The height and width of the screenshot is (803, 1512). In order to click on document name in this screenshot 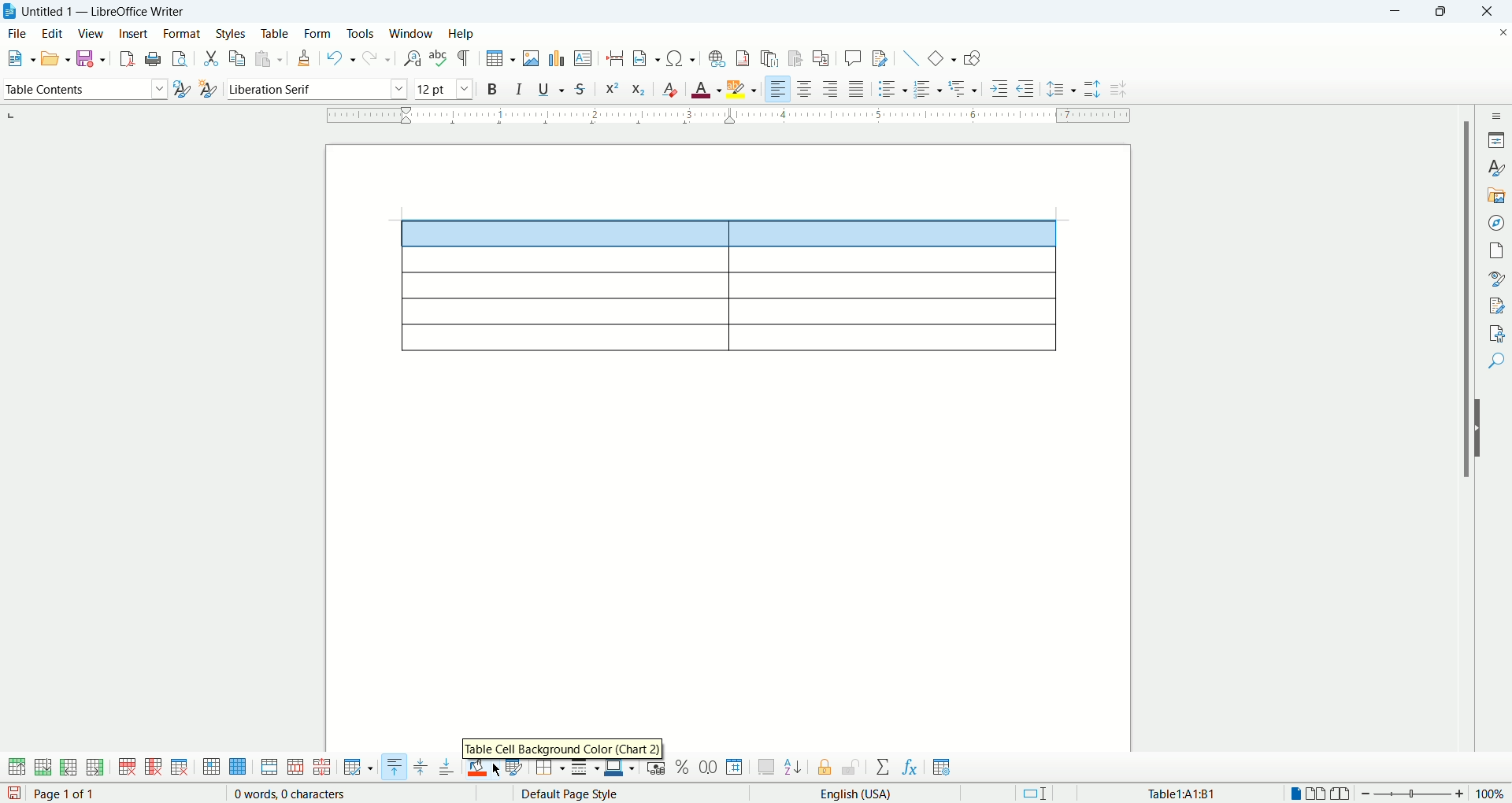, I will do `click(113, 12)`.